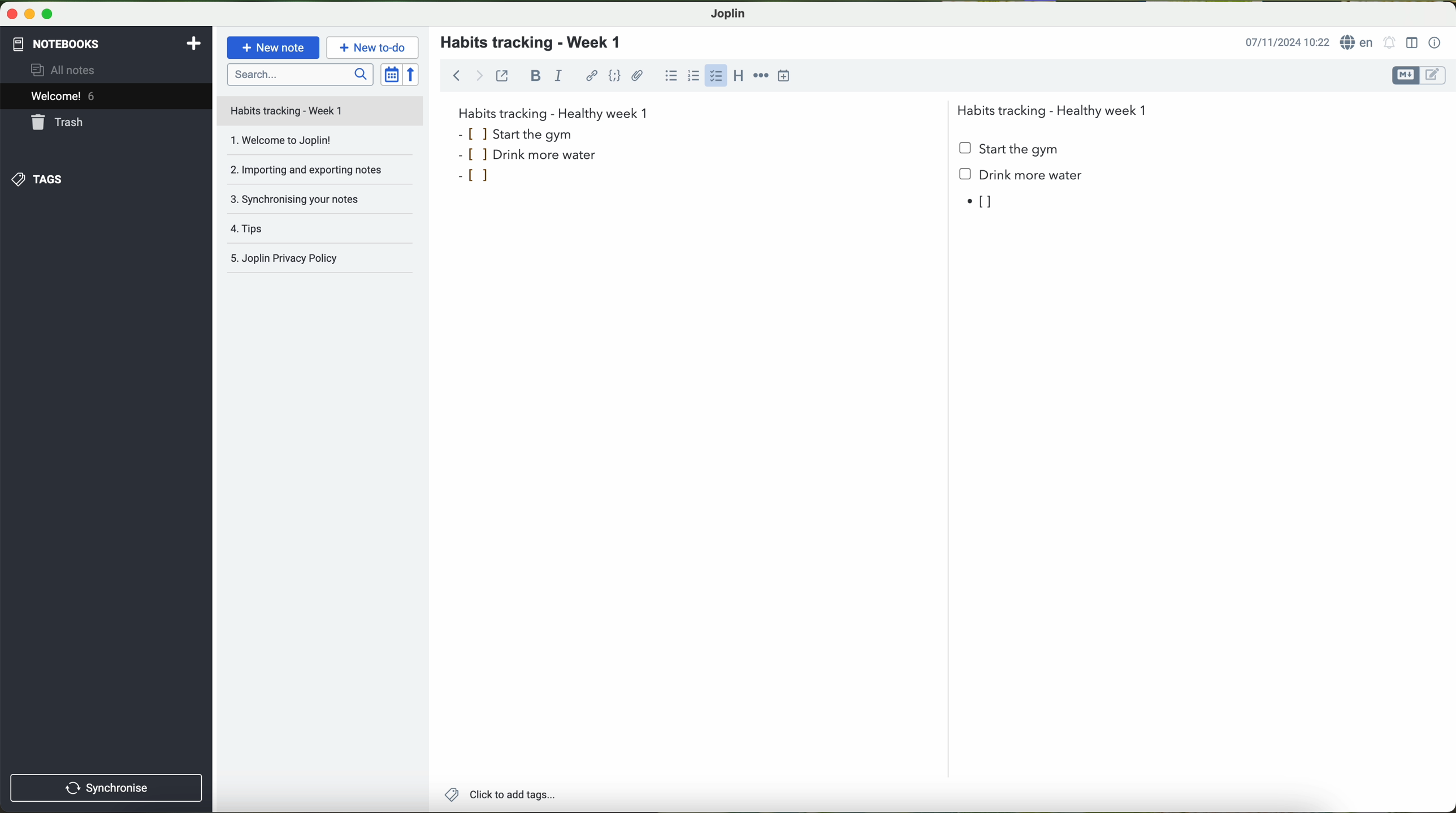  Describe the element at coordinates (1021, 179) in the screenshot. I see `Drink more water` at that location.